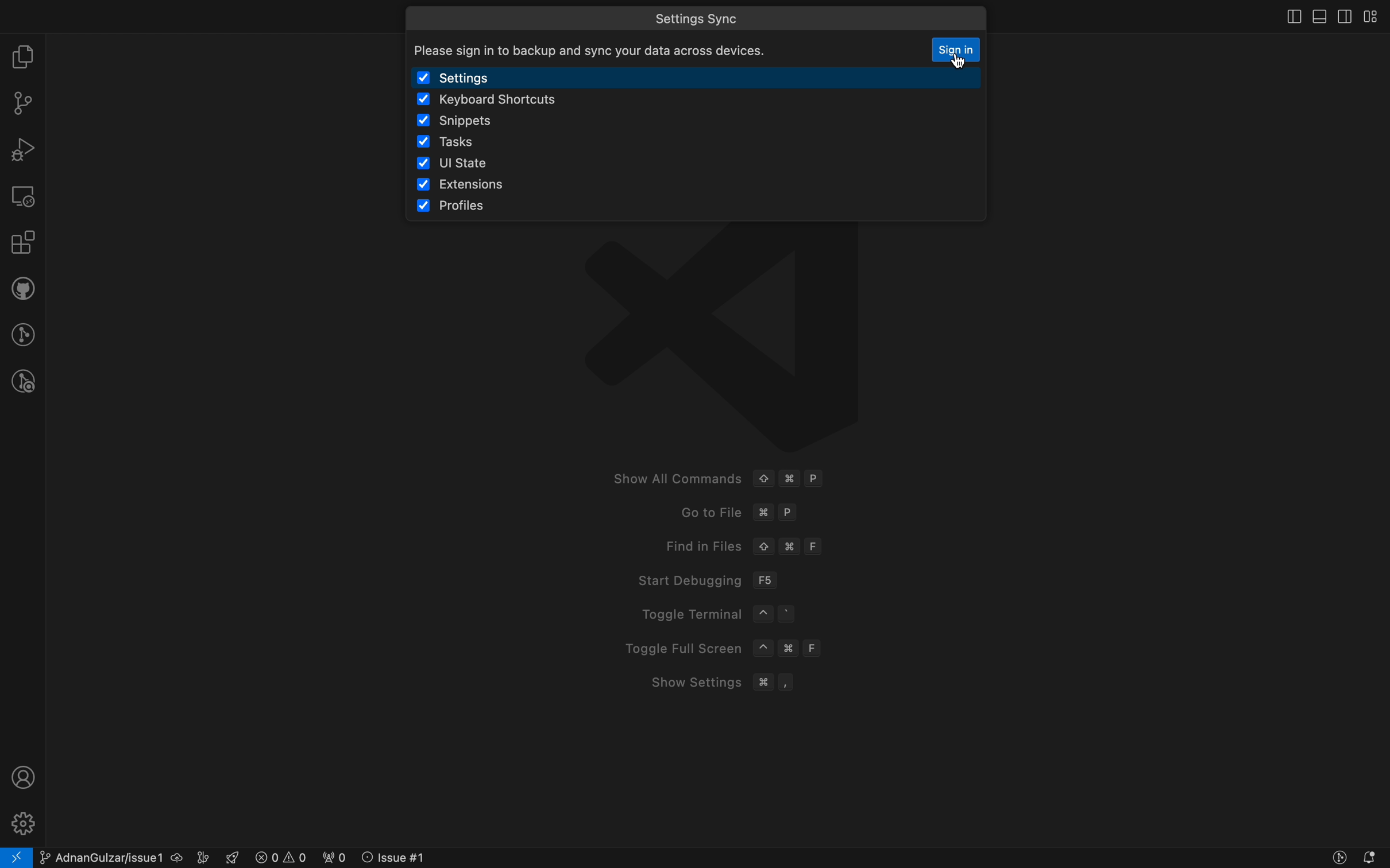  I want to click on sign in , so click(957, 52).